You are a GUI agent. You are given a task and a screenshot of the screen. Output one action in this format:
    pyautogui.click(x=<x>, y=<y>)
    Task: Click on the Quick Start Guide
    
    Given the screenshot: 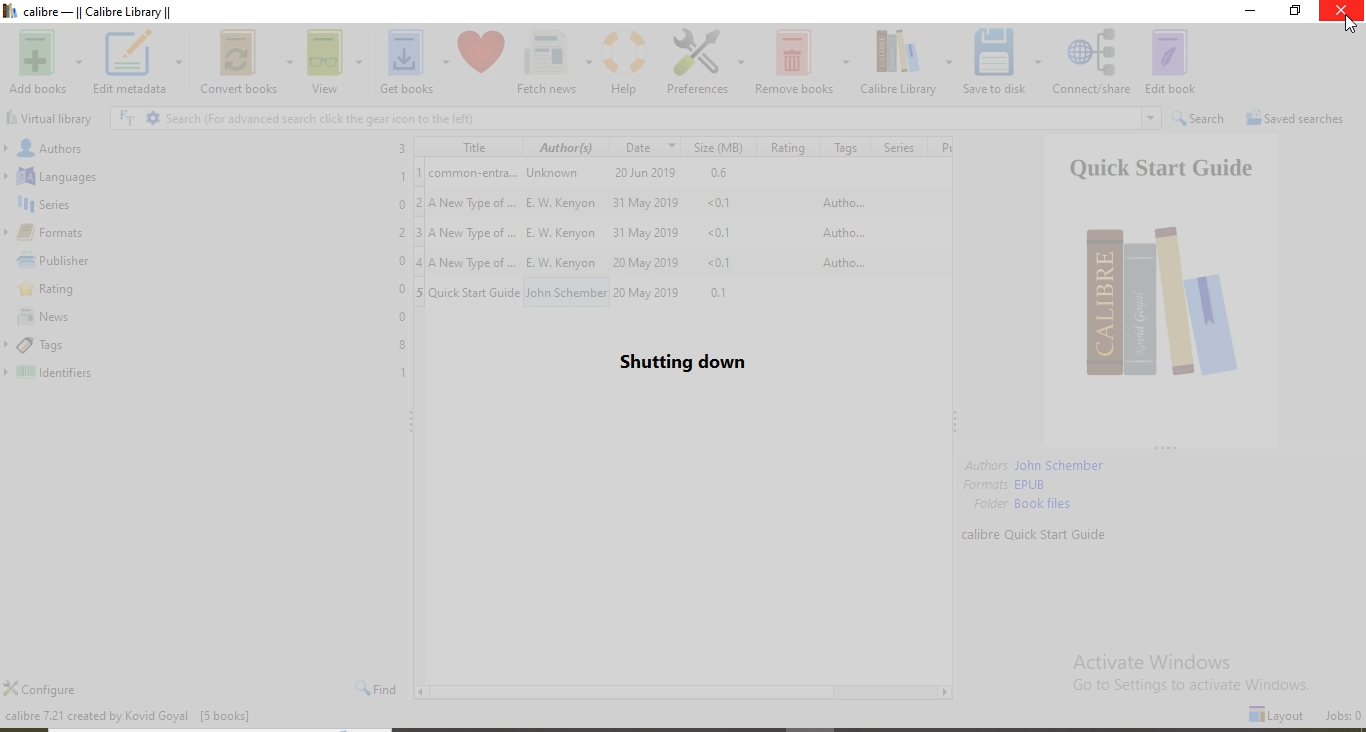 What is the action you would take?
    pyautogui.click(x=1162, y=289)
    